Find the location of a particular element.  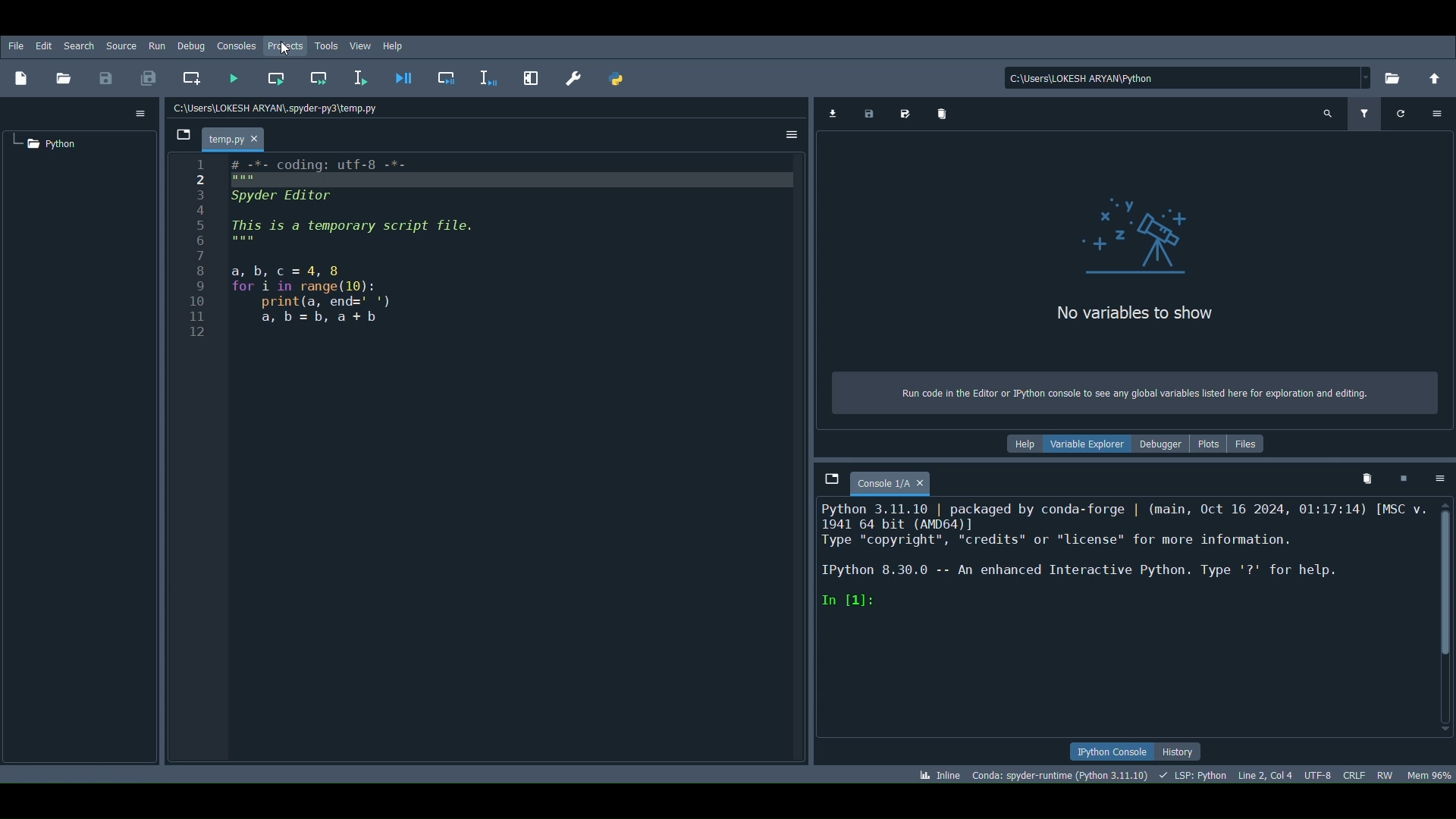

Version is located at coordinates (1057, 775).